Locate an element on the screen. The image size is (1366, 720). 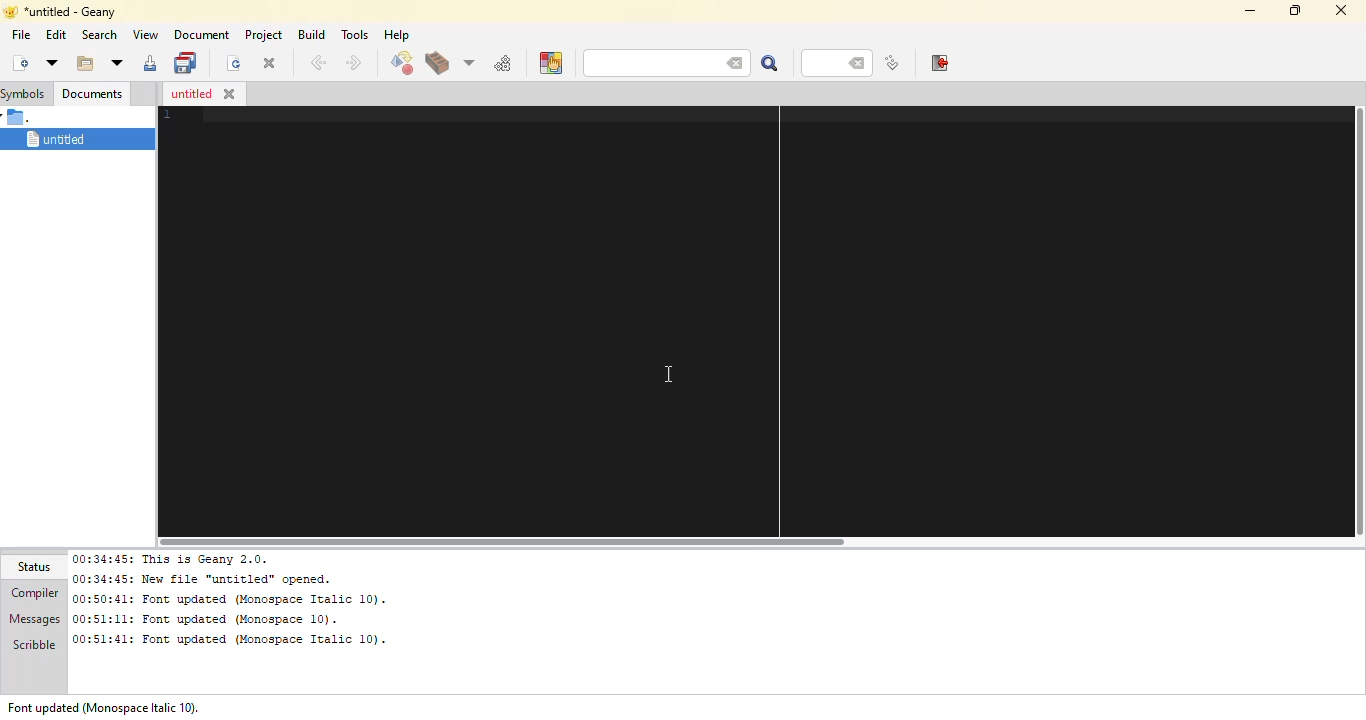
font updated(monospace italic 10). is located at coordinates (112, 705).